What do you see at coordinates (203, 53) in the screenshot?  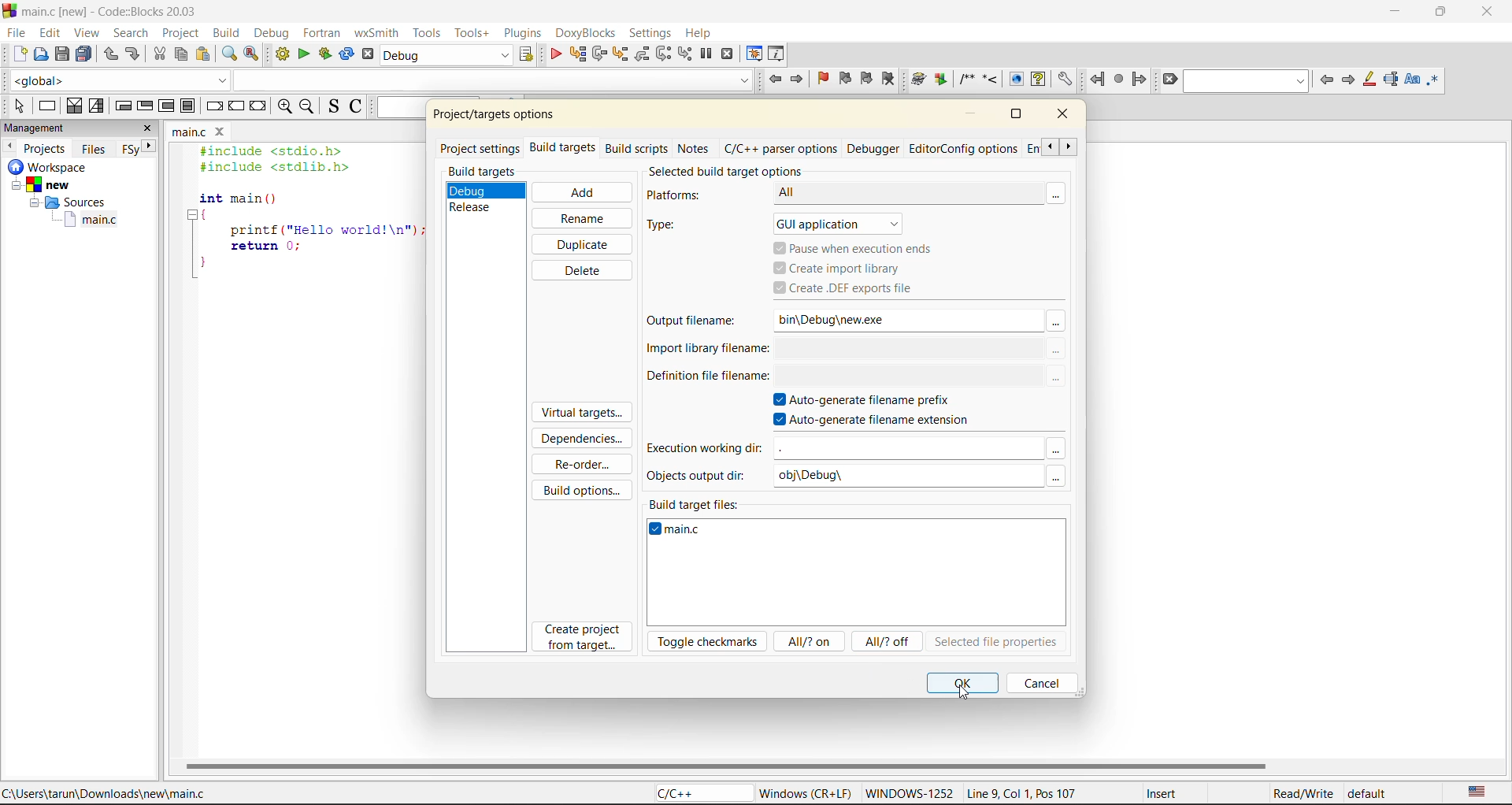 I see `paste` at bounding box center [203, 53].